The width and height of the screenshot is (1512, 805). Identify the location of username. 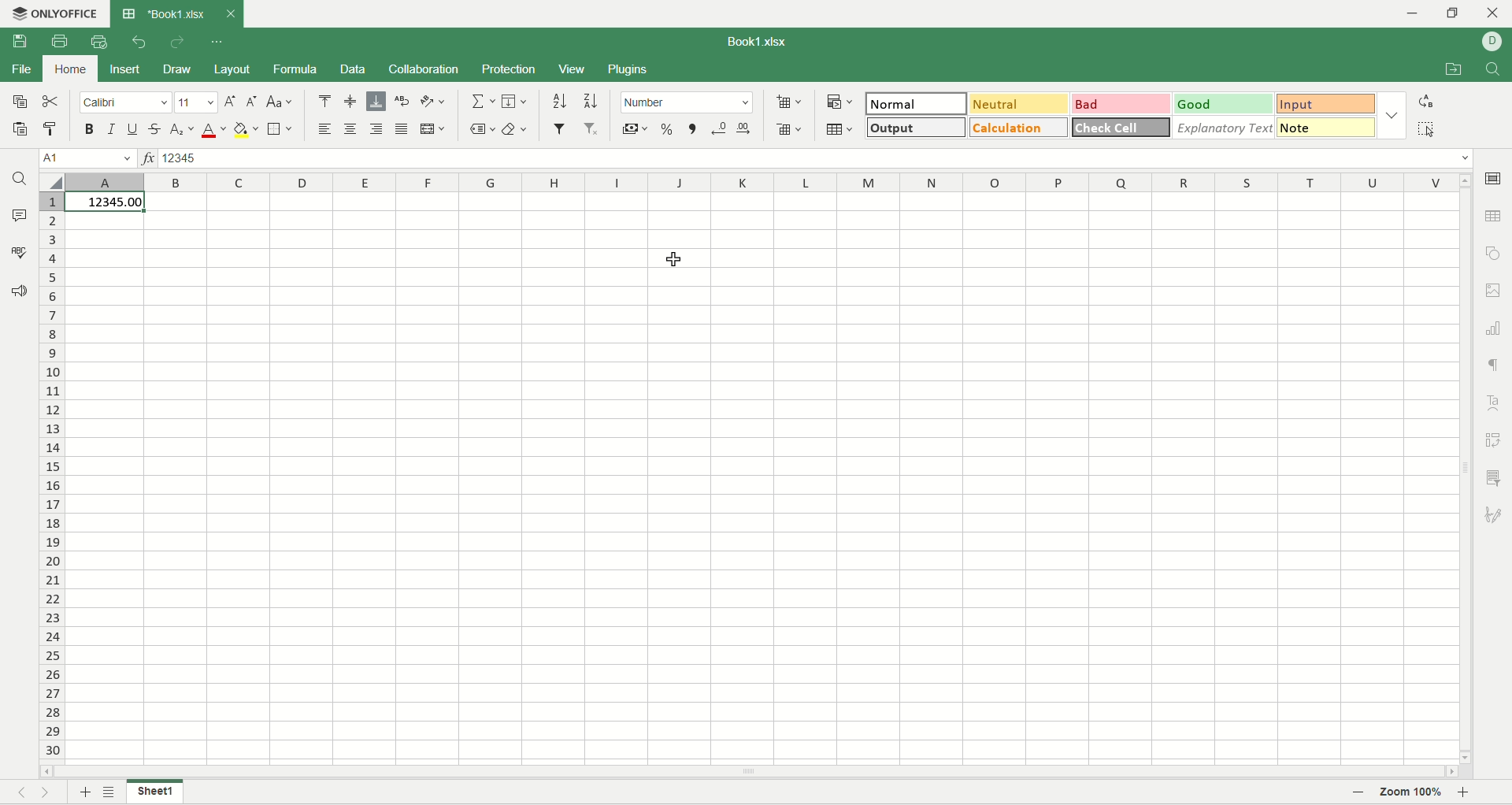
(1492, 43).